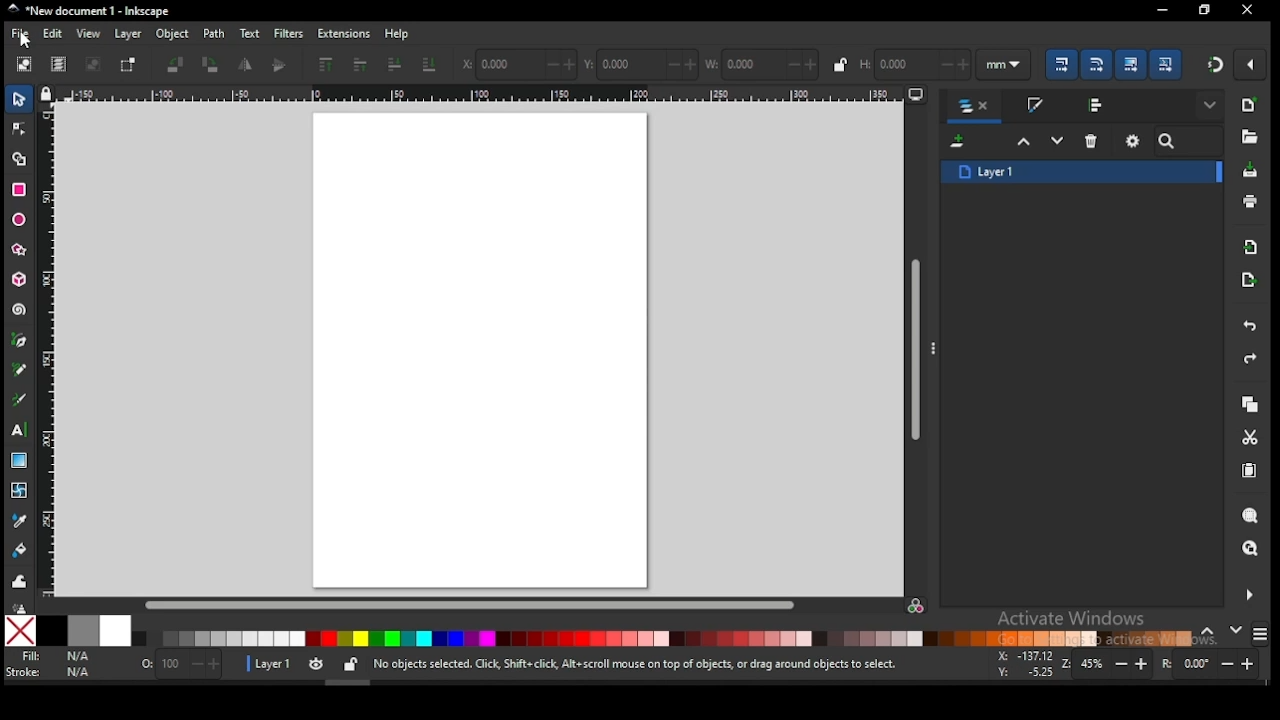 Image resolution: width=1280 pixels, height=720 pixels. I want to click on icon and filename, so click(90, 11).